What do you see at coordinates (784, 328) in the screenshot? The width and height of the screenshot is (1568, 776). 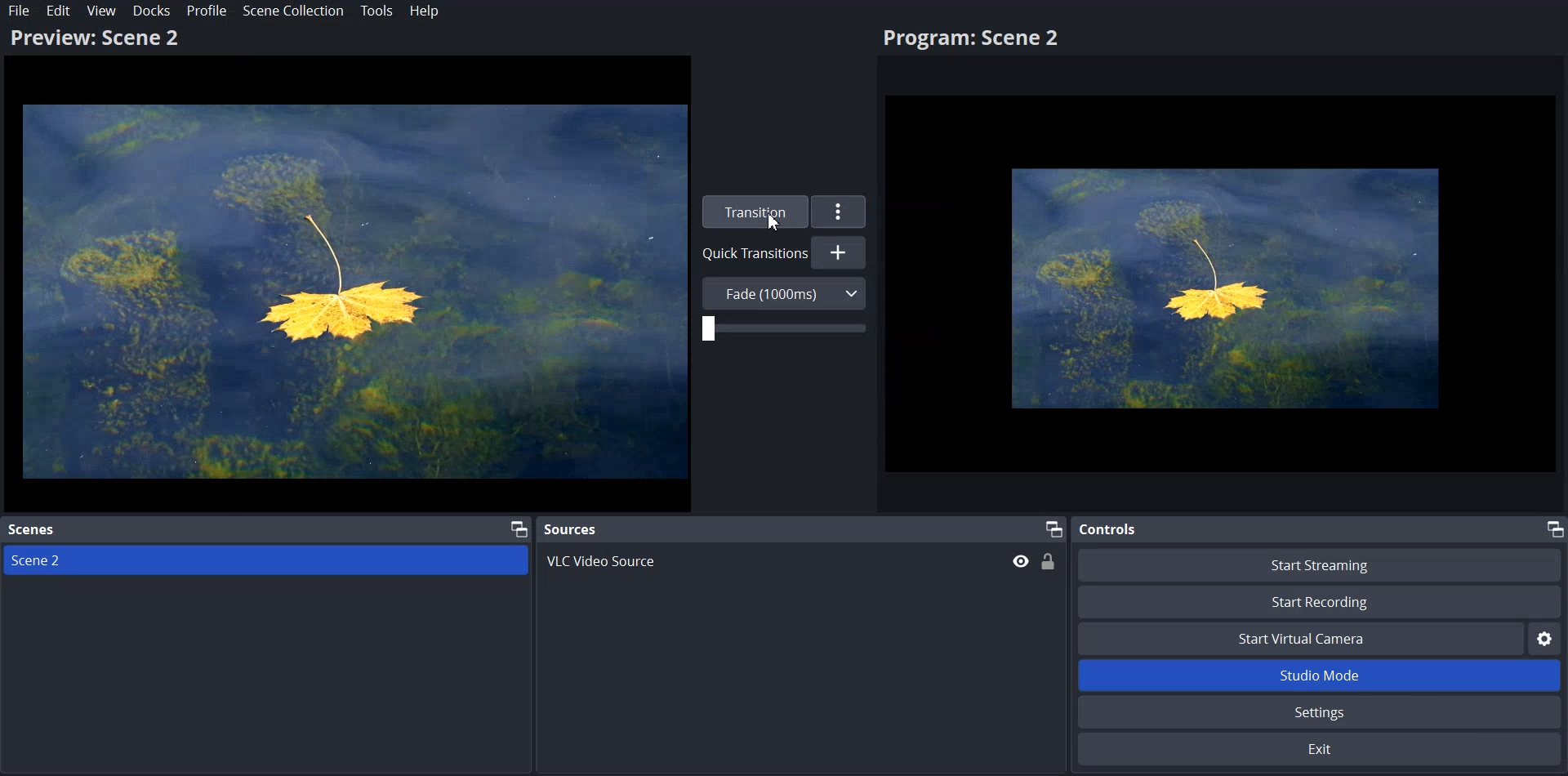 I see `Adjust Transition Duration` at bounding box center [784, 328].